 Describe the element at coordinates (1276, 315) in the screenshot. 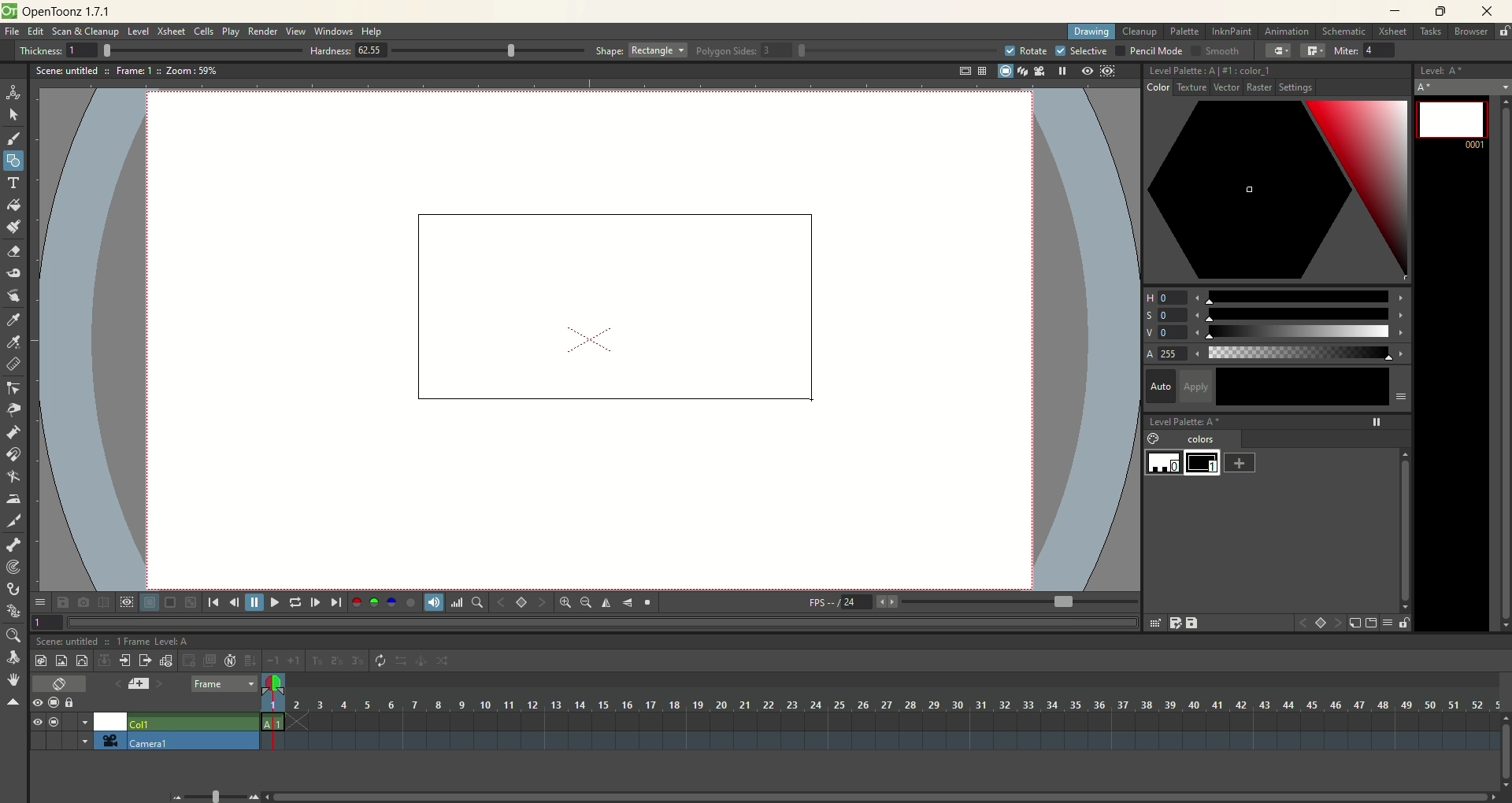

I see `saturation` at that location.